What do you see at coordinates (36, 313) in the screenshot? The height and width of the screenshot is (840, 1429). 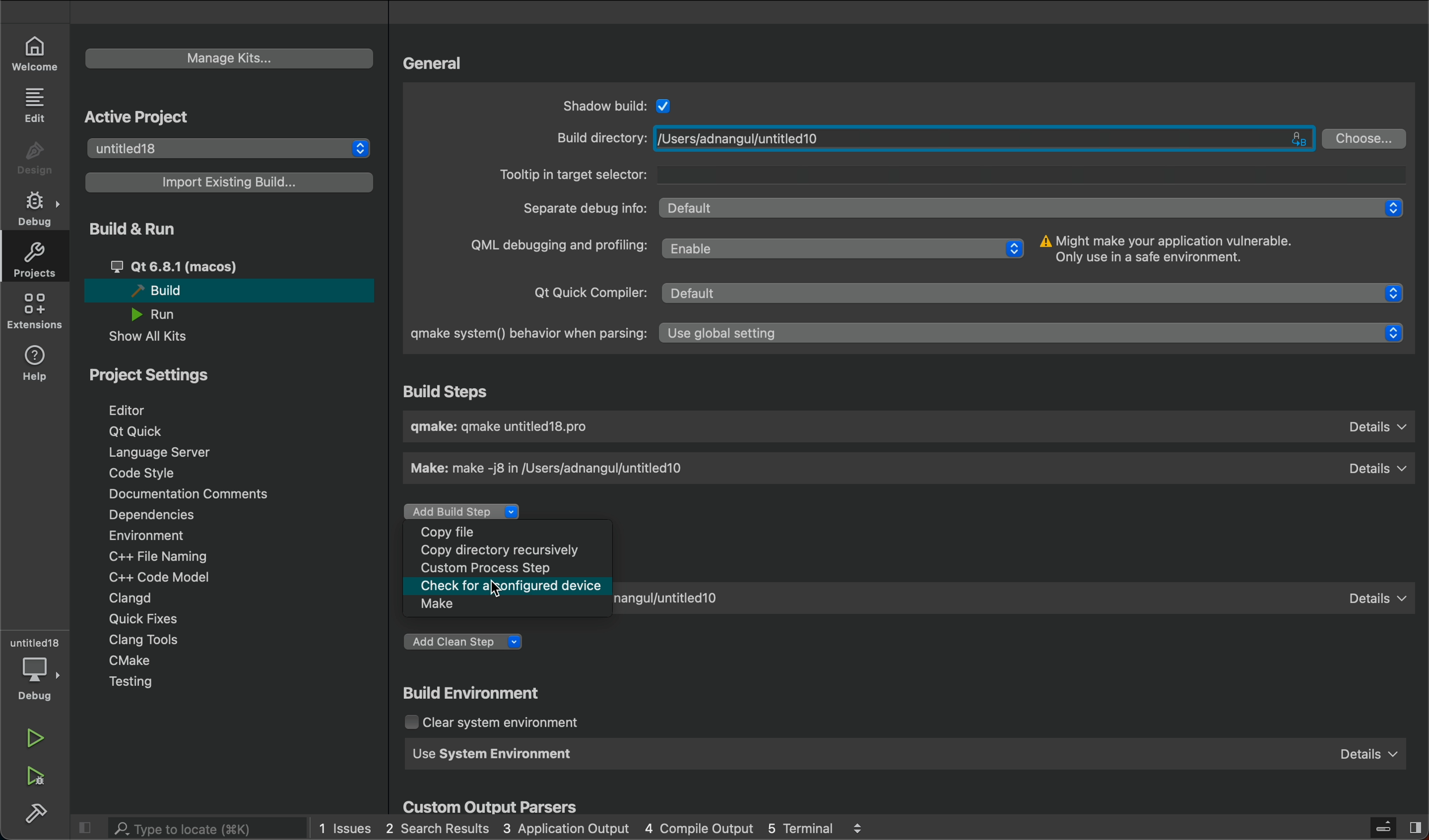 I see `extensions` at bounding box center [36, 313].